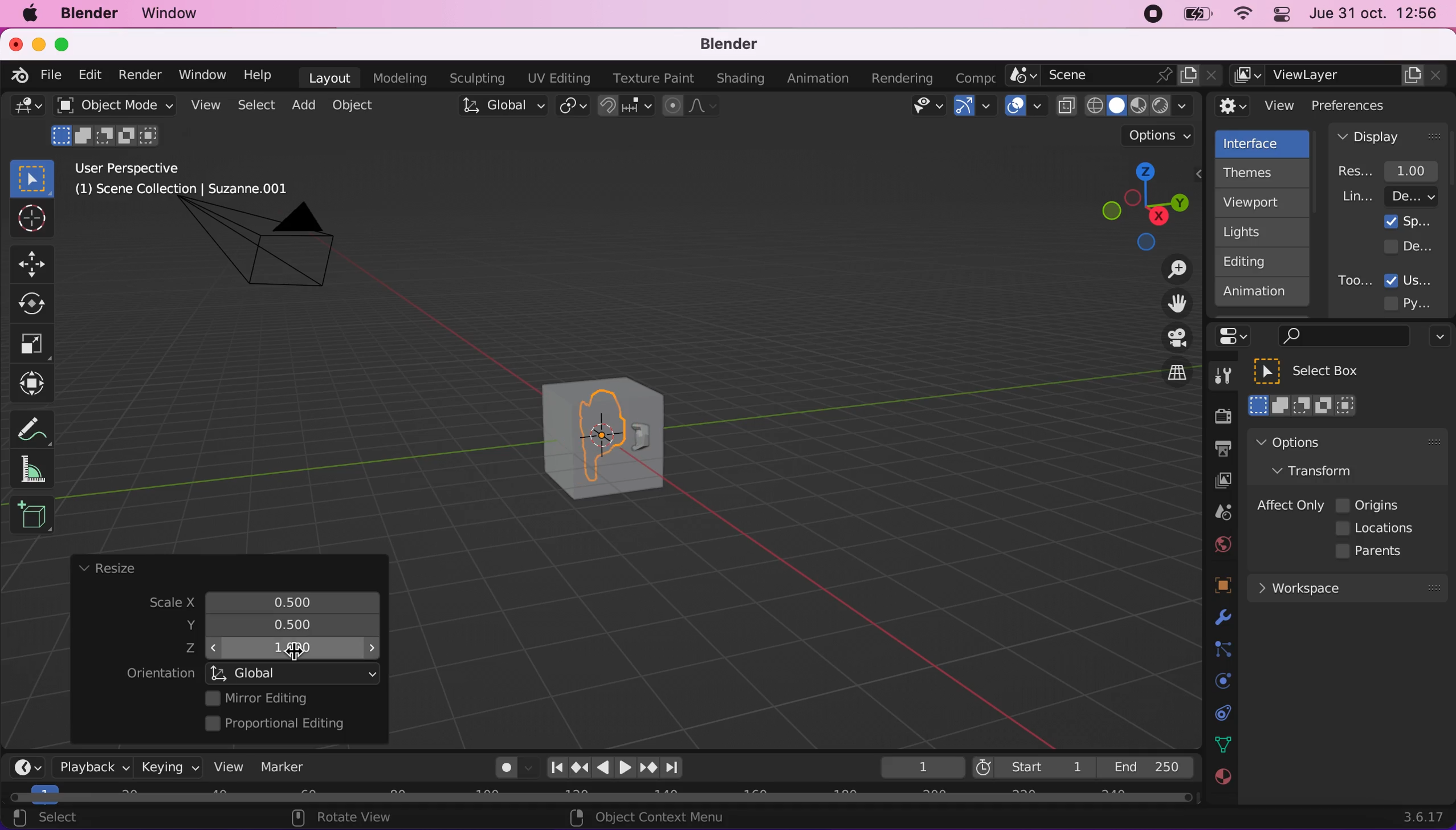  I want to click on jump to end point, so click(553, 768).